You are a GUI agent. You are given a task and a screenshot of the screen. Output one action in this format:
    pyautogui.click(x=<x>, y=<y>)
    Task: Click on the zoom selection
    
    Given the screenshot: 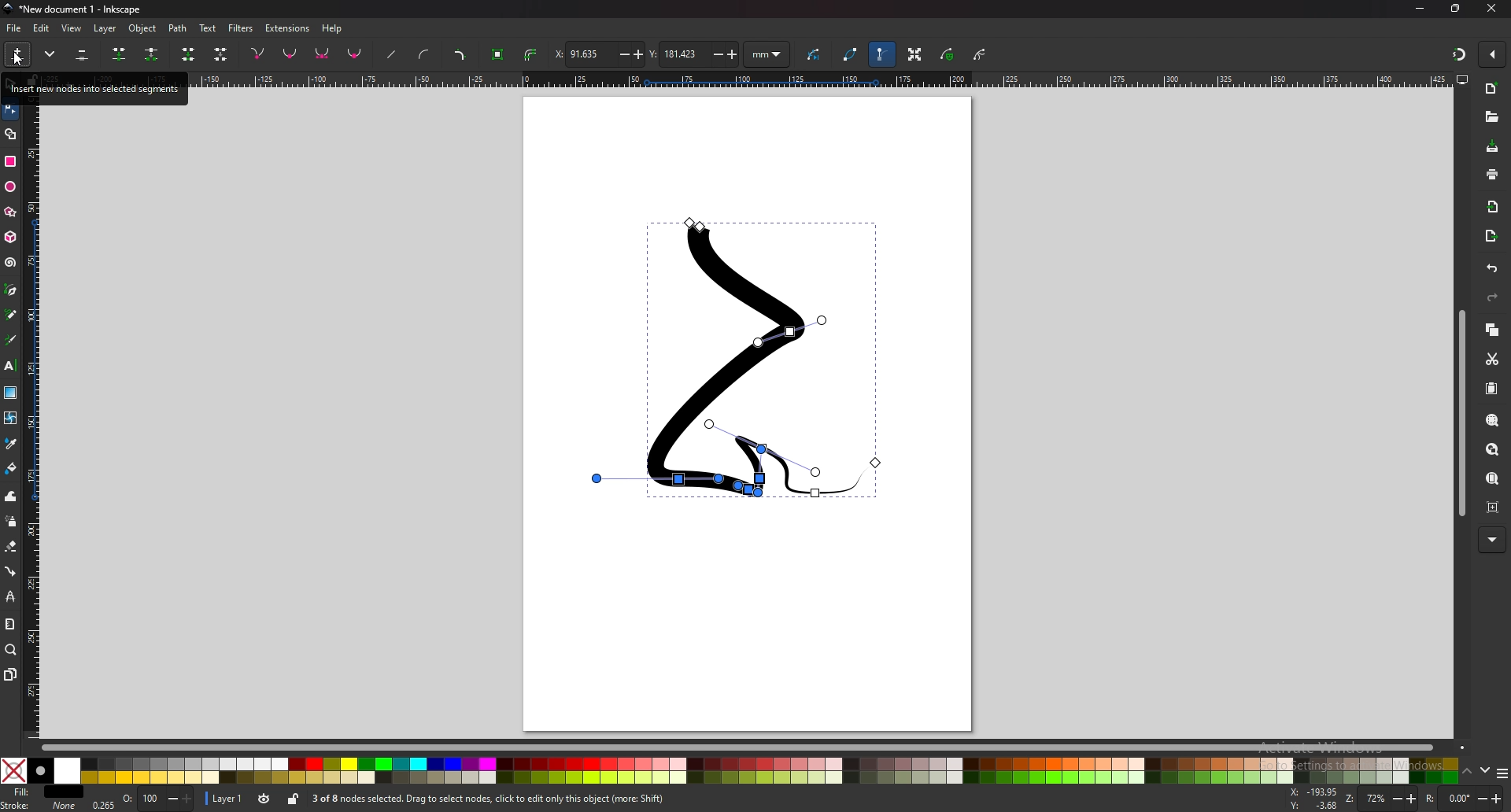 What is the action you would take?
    pyautogui.click(x=1493, y=420)
    